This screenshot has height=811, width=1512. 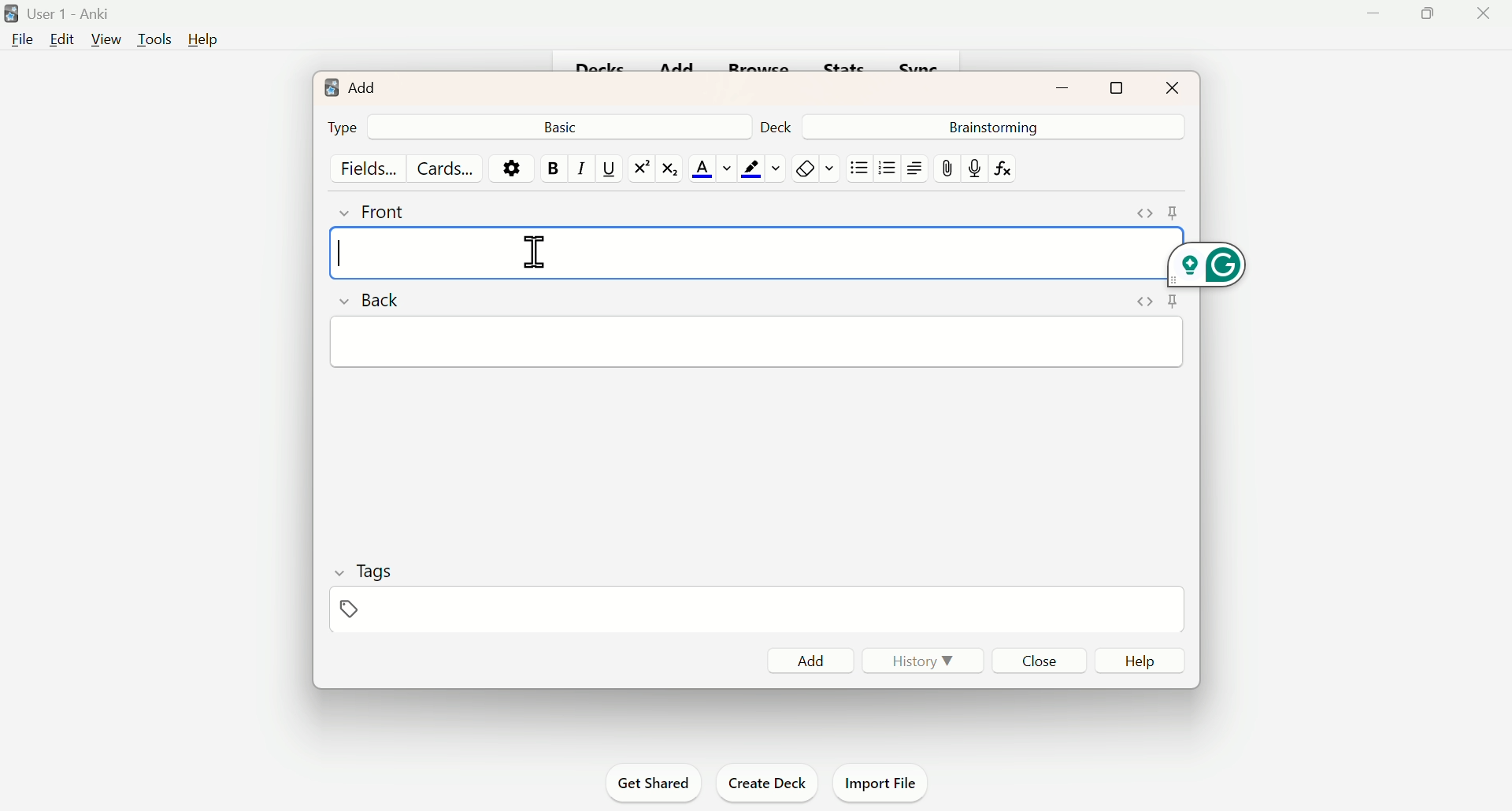 What do you see at coordinates (1152, 302) in the screenshot?
I see `Pins` at bounding box center [1152, 302].